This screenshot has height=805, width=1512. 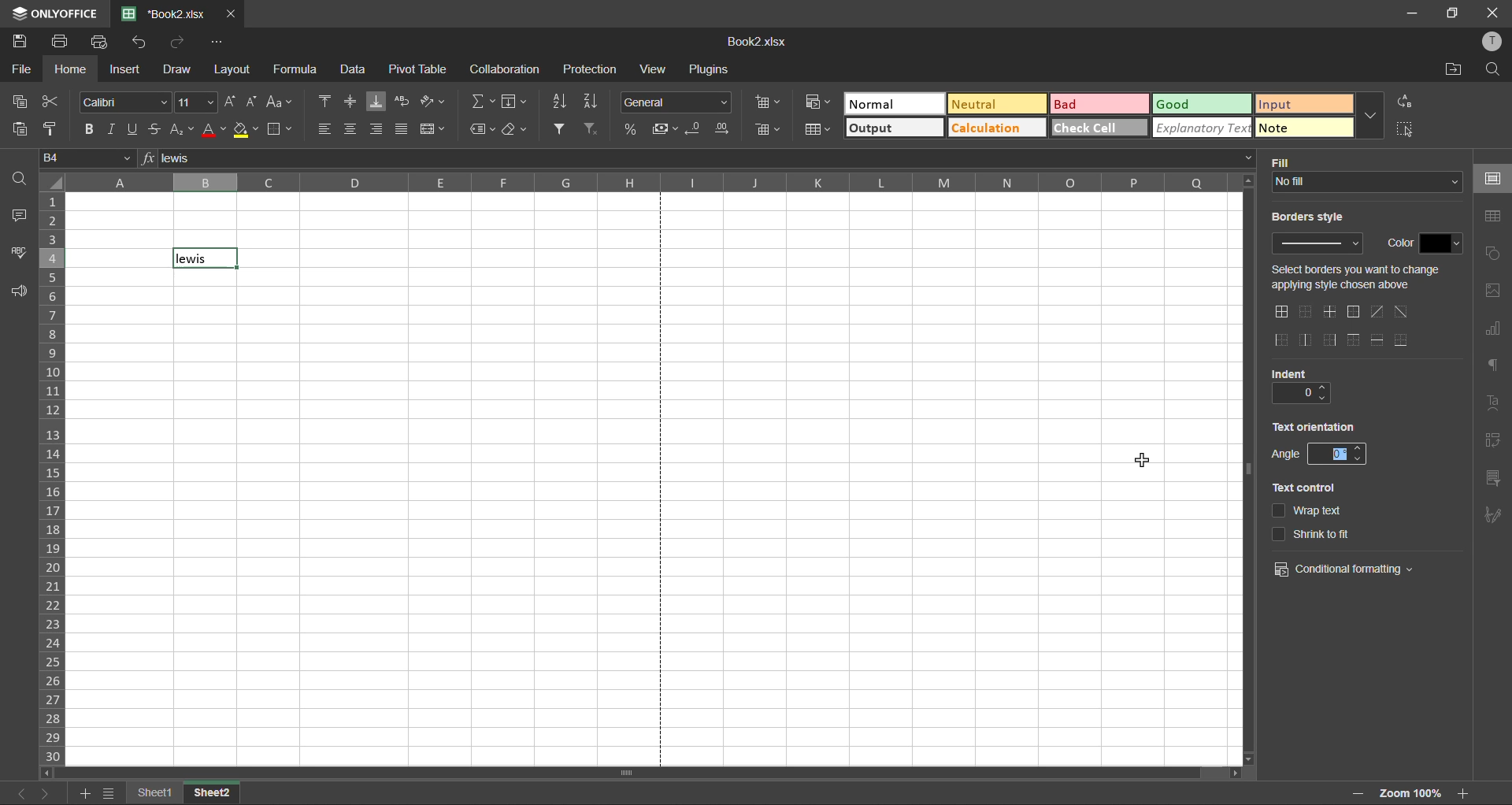 I want to click on wrap text, so click(x=1310, y=510).